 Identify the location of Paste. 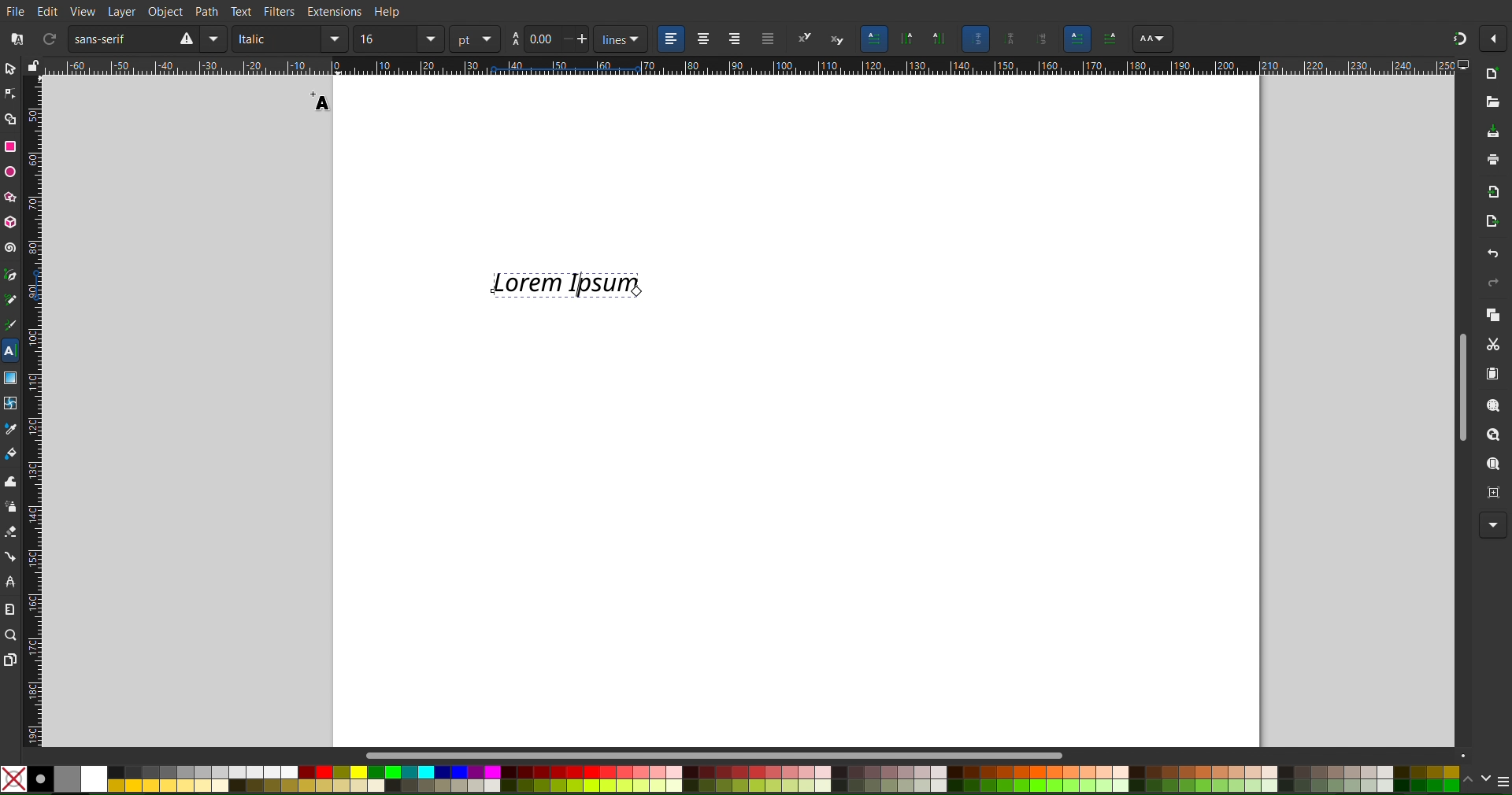
(1494, 376).